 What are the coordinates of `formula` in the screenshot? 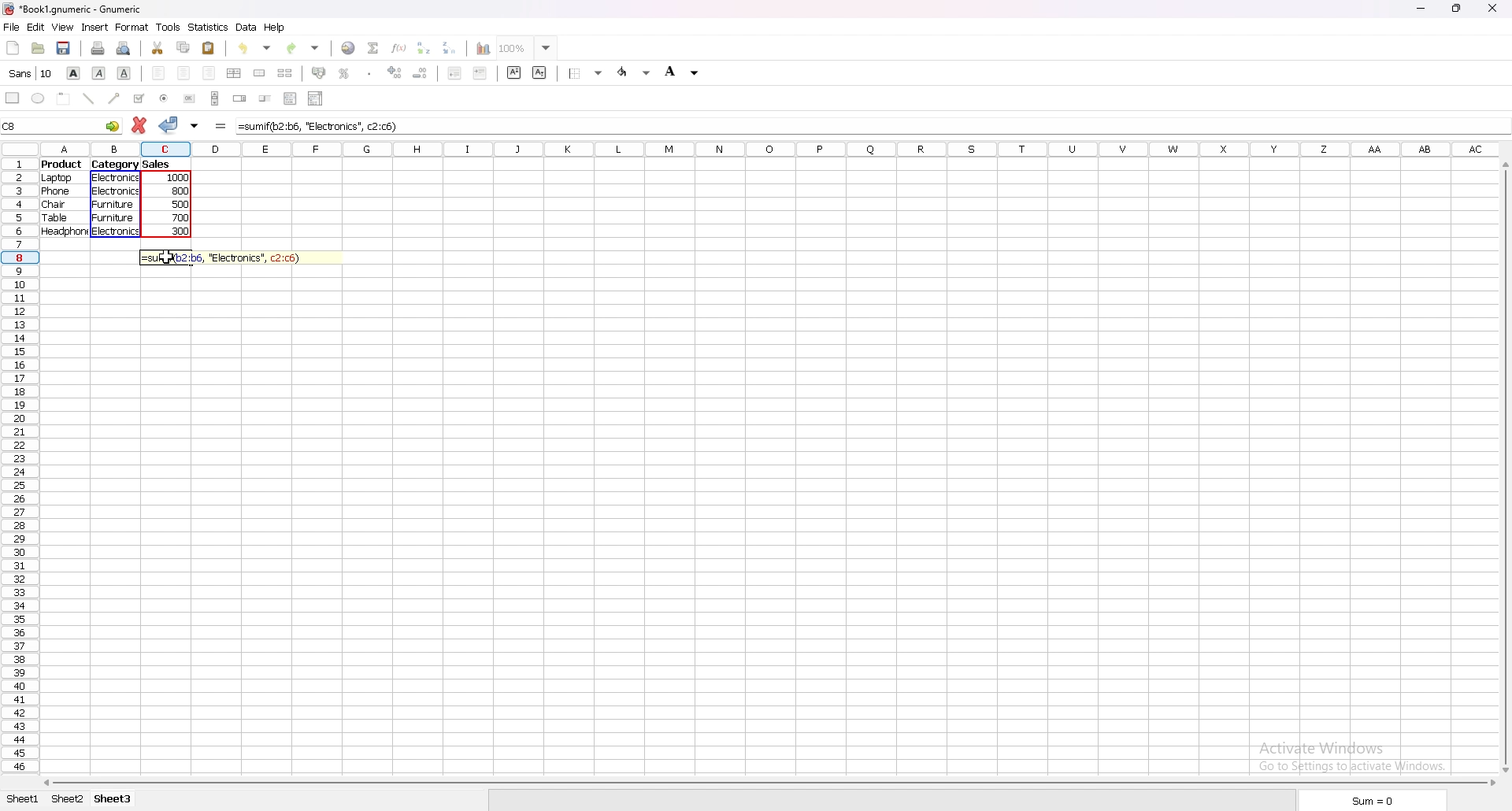 It's located at (324, 126).